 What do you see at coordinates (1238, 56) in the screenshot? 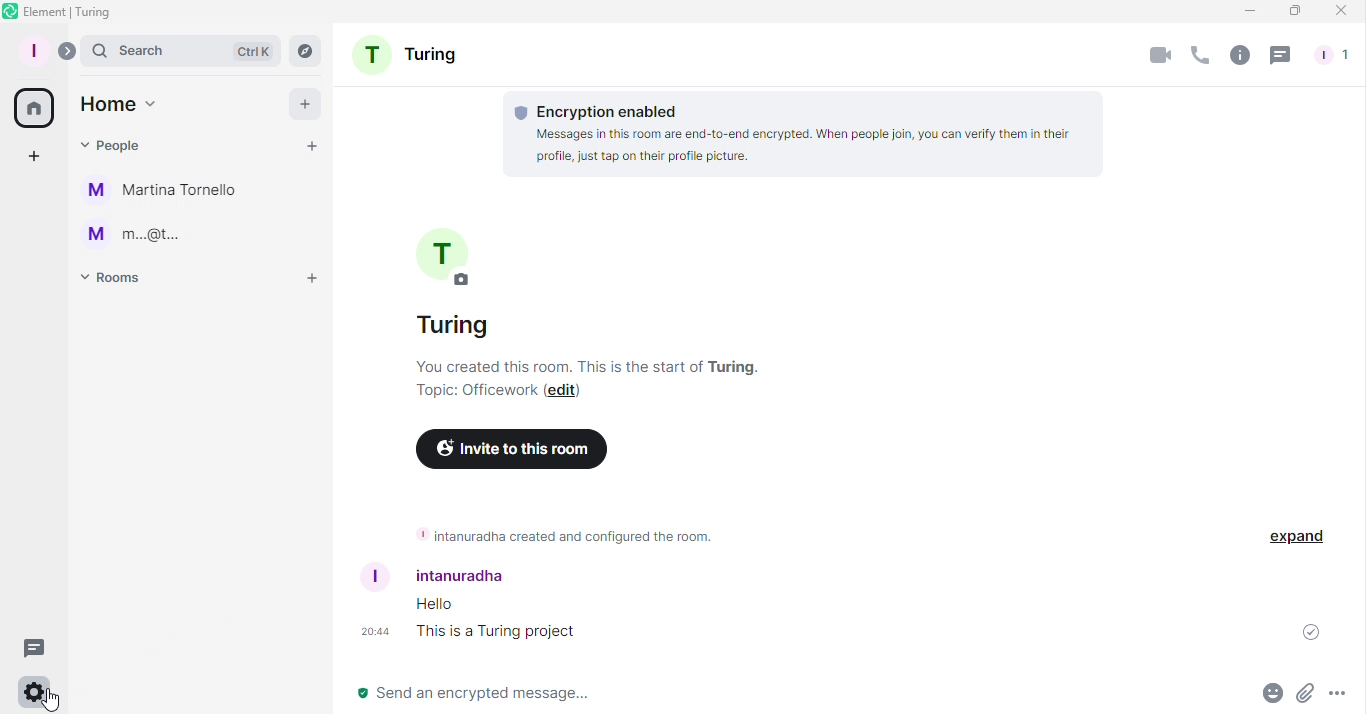
I see `Room info` at bounding box center [1238, 56].